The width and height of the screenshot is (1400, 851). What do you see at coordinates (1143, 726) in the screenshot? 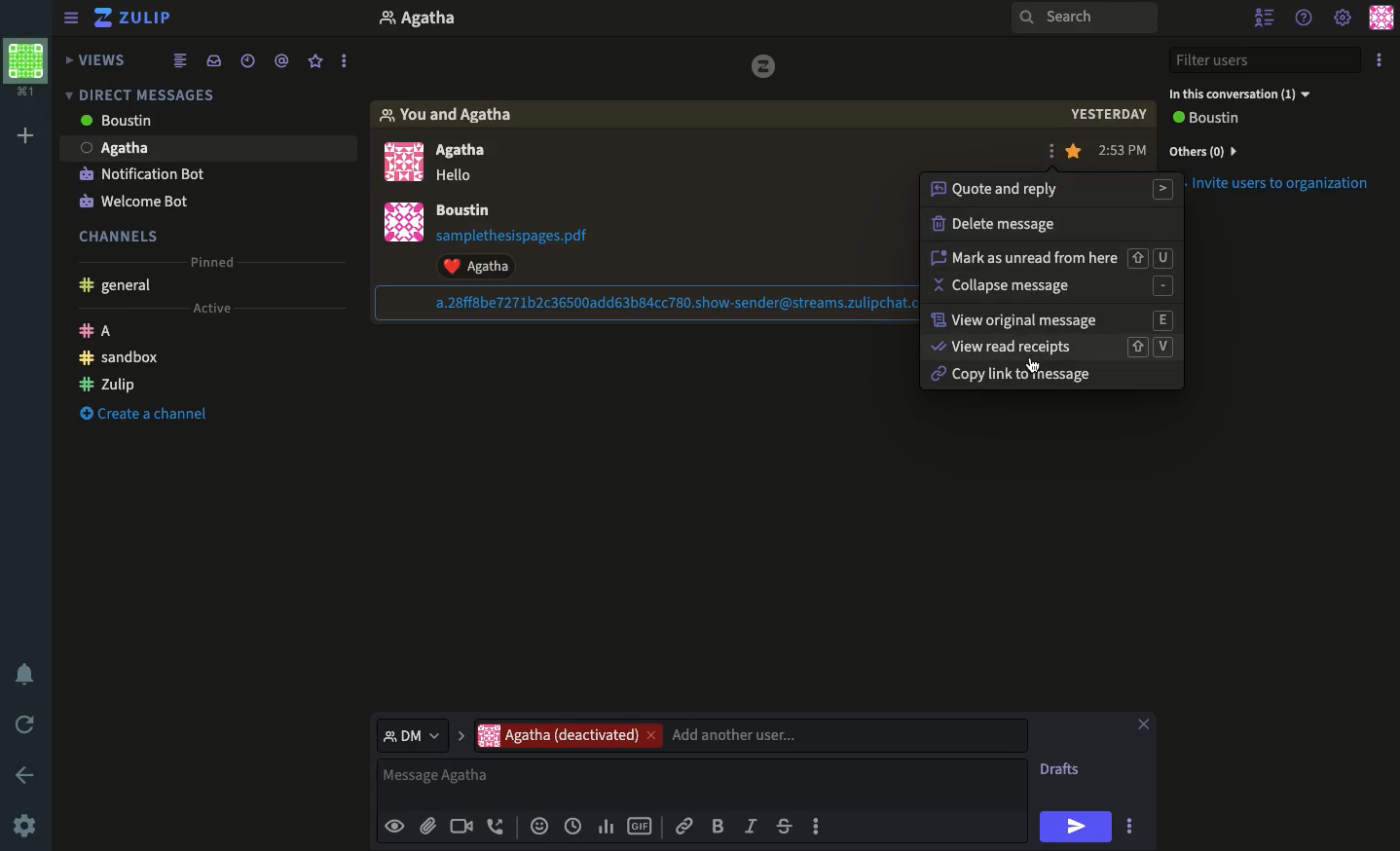
I see `Close` at bounding box center [1143, 726].